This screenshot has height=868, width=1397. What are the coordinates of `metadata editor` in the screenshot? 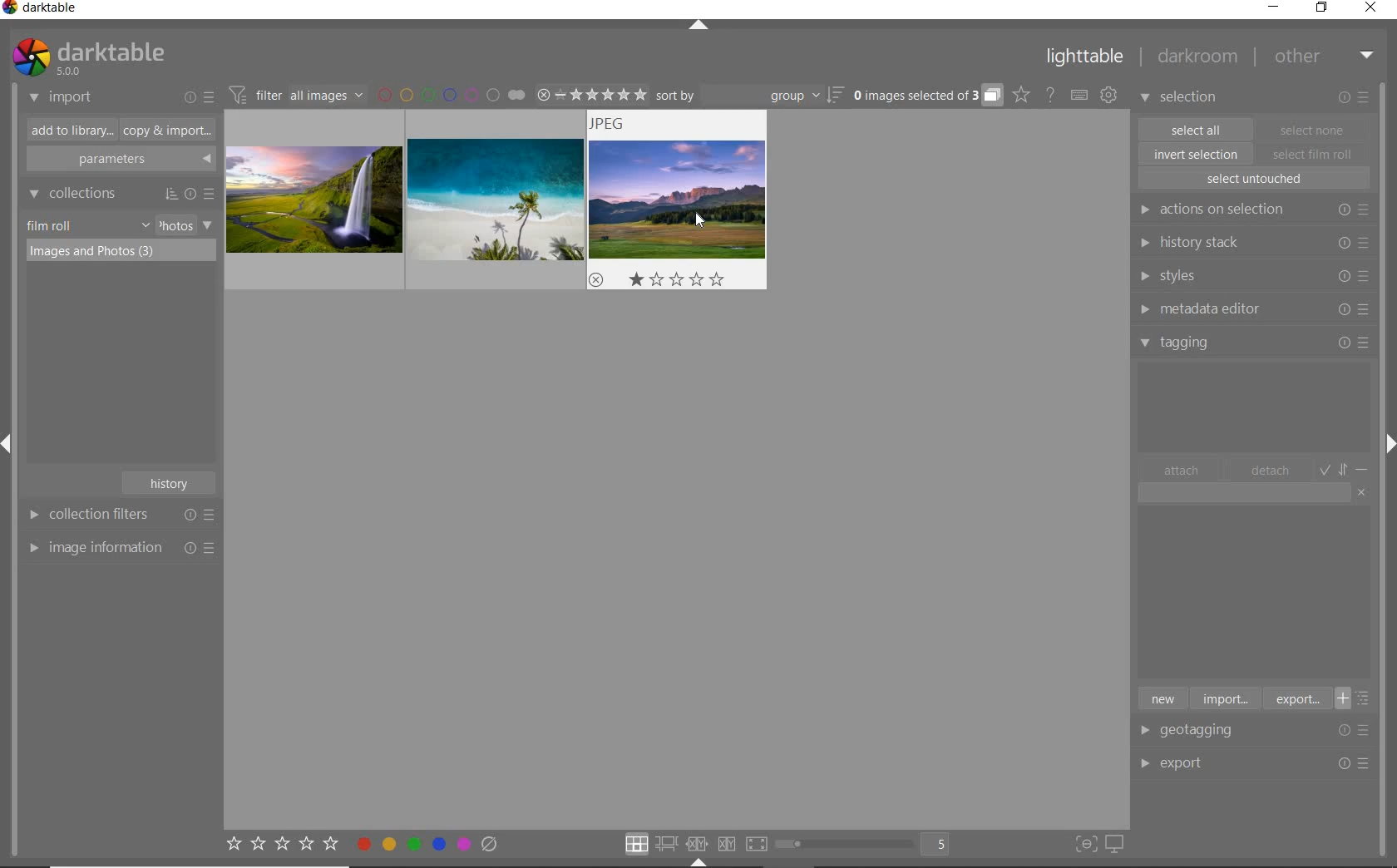 It's located at (1251, 309).